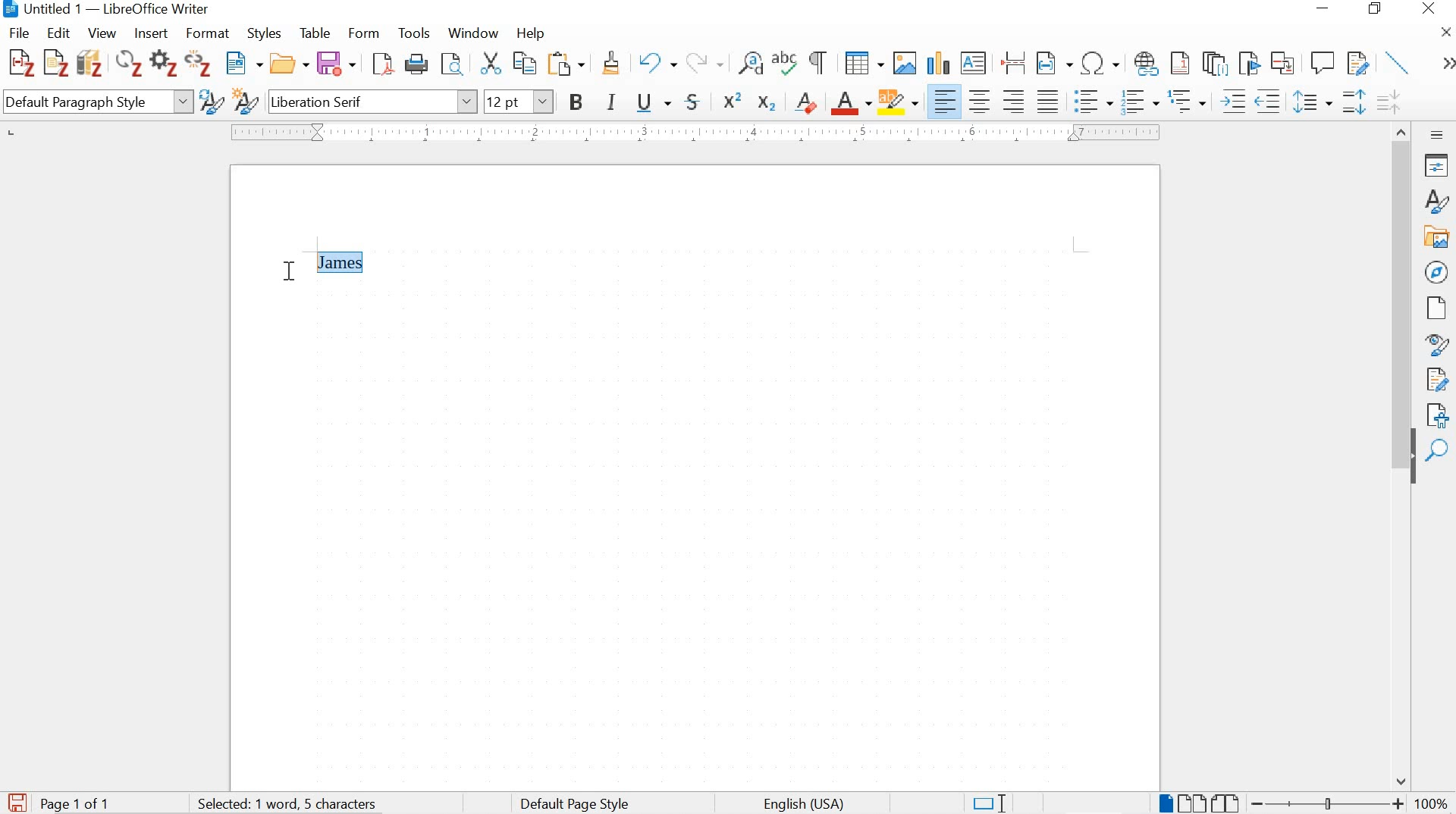 This screenshot has width=1456, height=814. Describe the element at coordinates (20, 33) in the screenshot. I see `file` at that location.